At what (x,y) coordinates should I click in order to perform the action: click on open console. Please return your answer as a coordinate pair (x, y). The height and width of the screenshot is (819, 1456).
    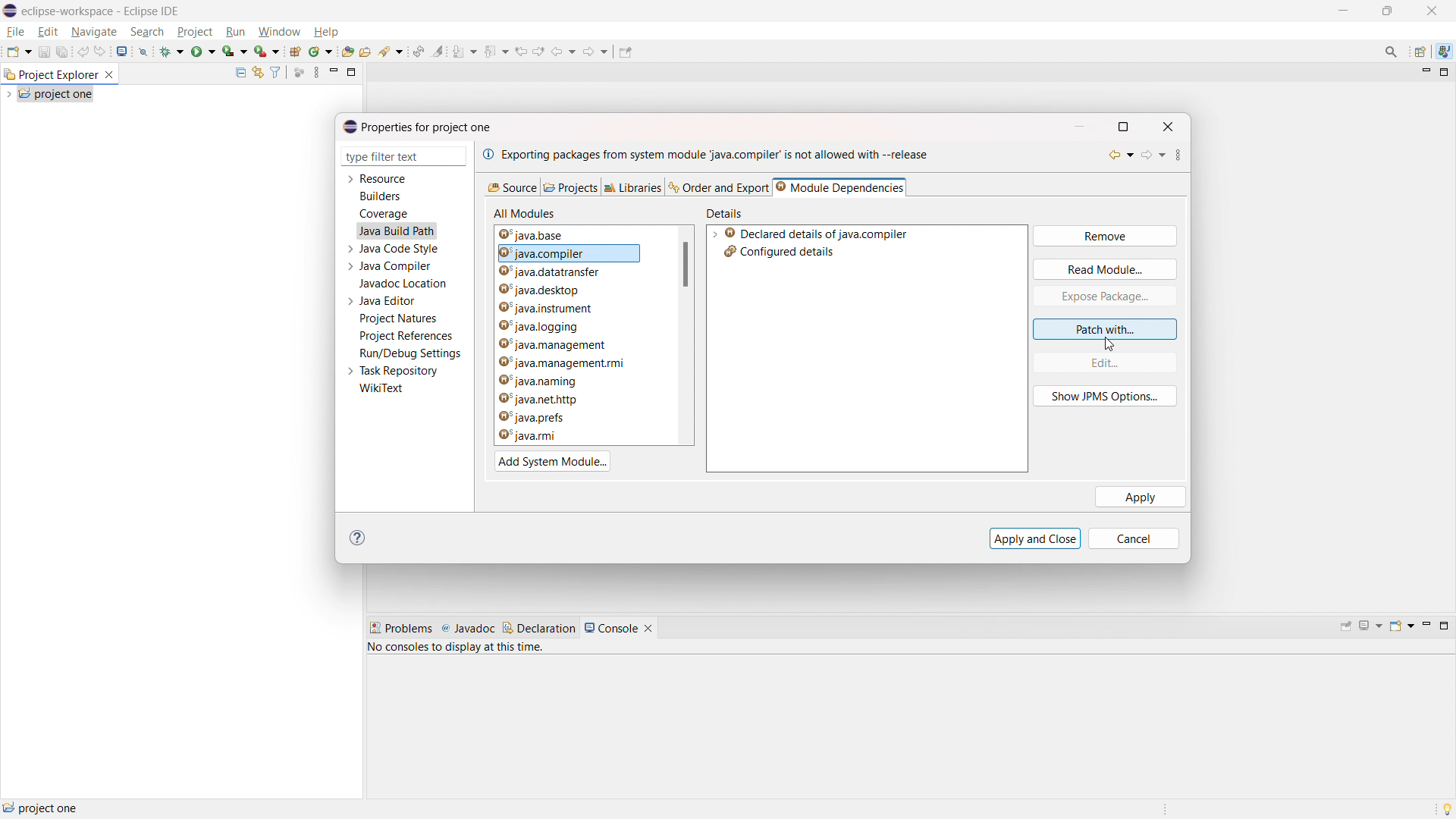
    Looking at the image, I should click on (123, 52).